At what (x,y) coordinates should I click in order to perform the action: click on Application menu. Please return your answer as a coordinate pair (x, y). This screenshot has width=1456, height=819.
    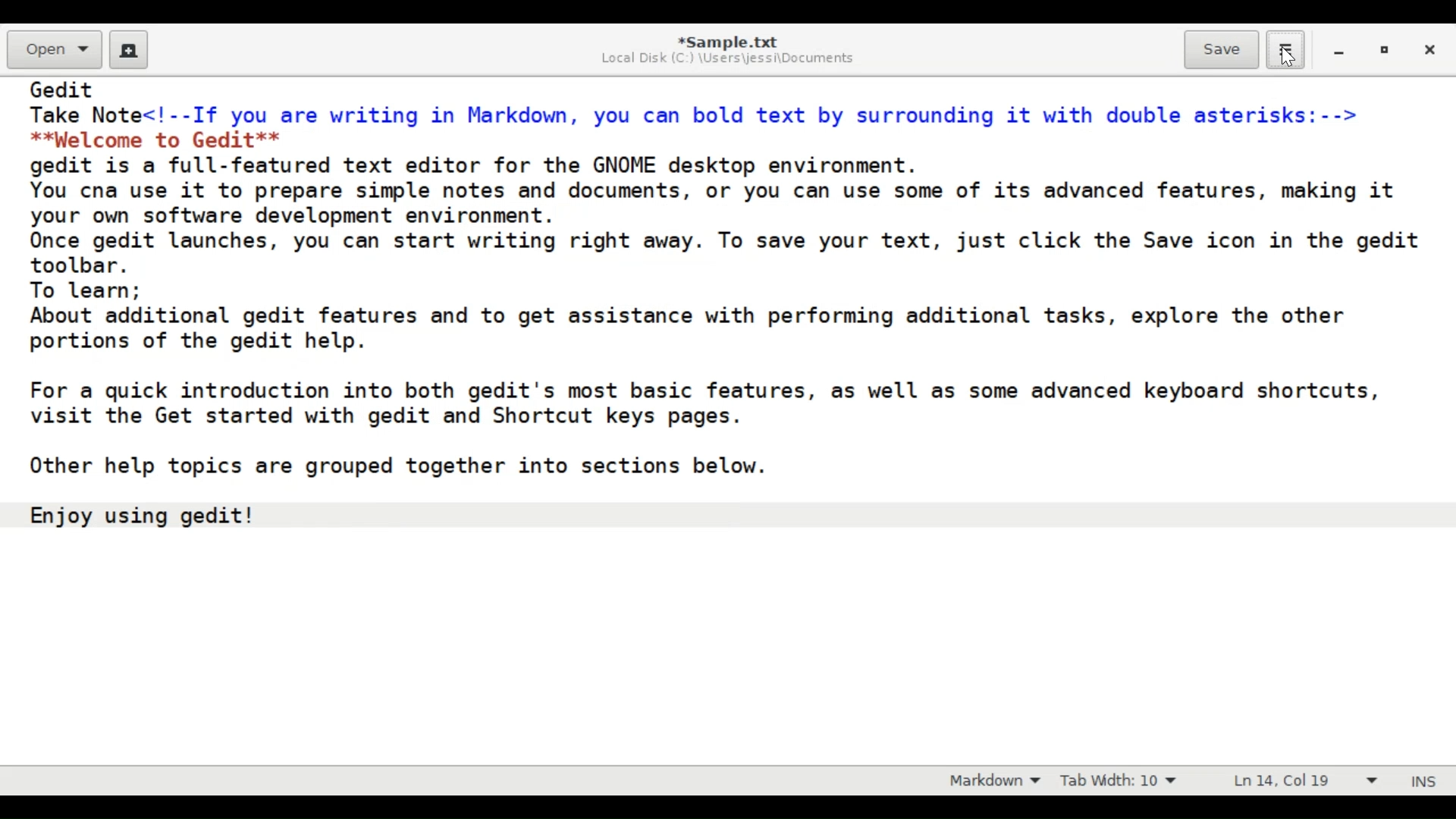
    Looking at the image, I should click on (1285, 50).